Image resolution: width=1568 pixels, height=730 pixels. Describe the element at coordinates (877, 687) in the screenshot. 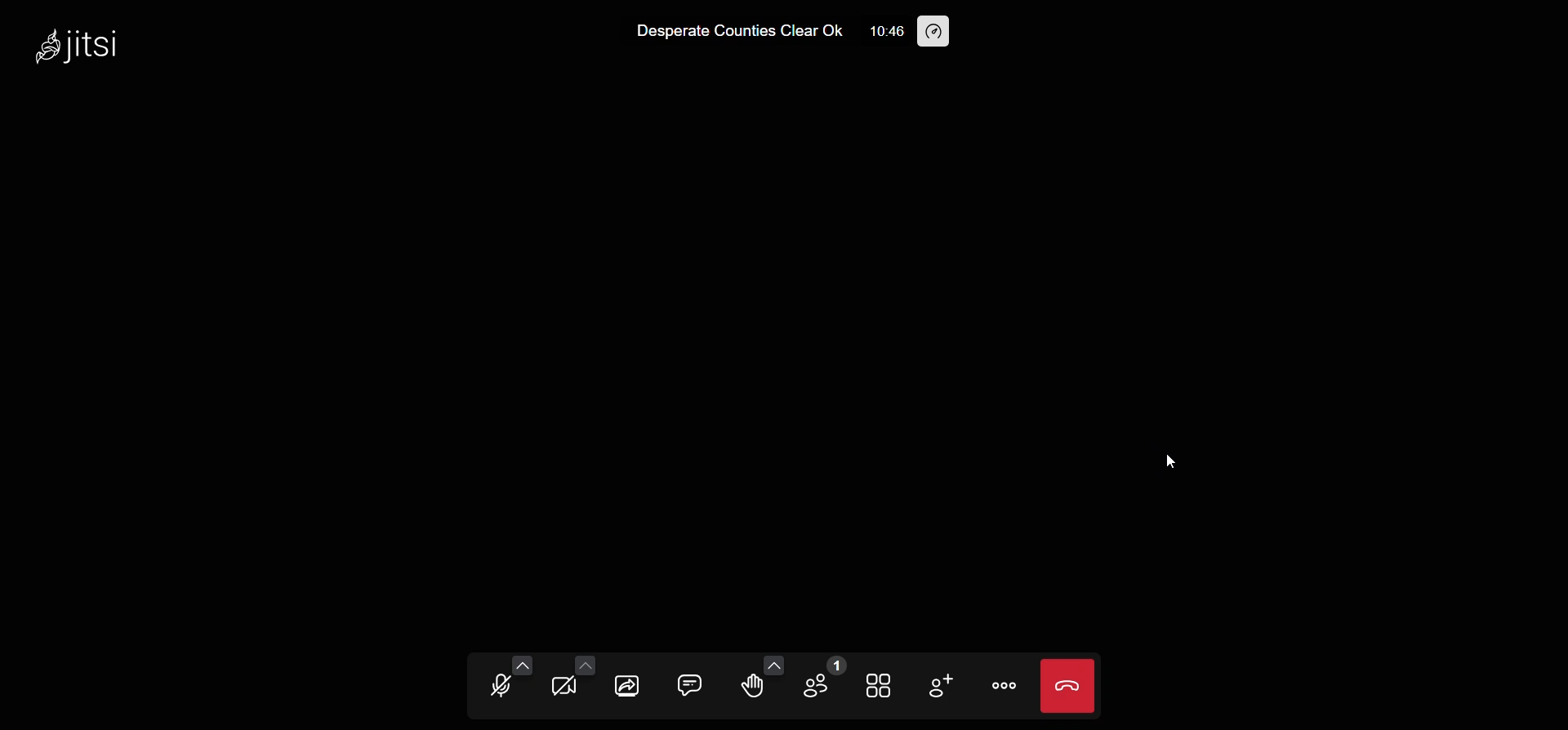

I see `tile view` at that location.